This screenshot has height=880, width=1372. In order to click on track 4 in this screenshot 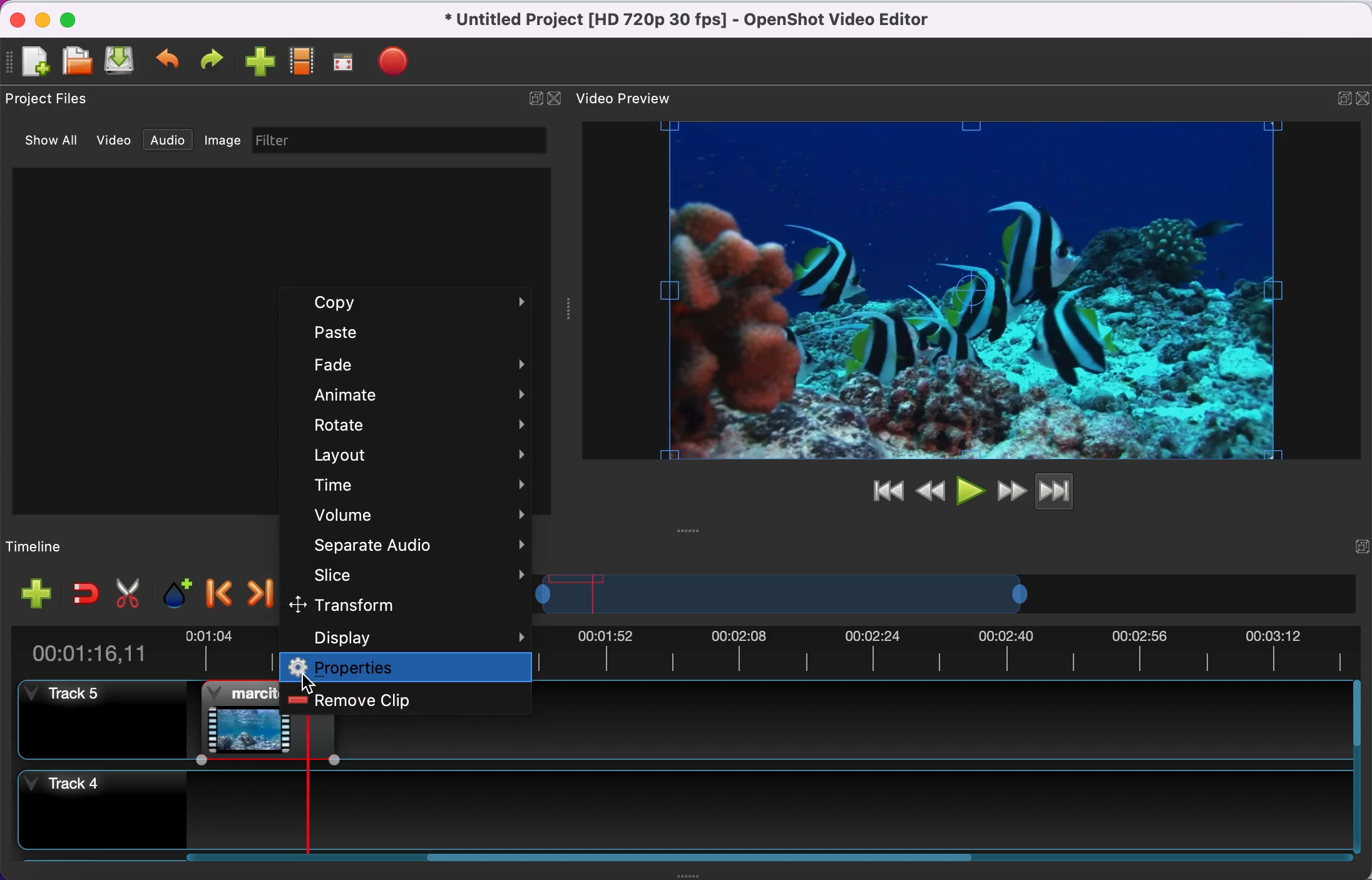, I will do `click(683, 802)`.